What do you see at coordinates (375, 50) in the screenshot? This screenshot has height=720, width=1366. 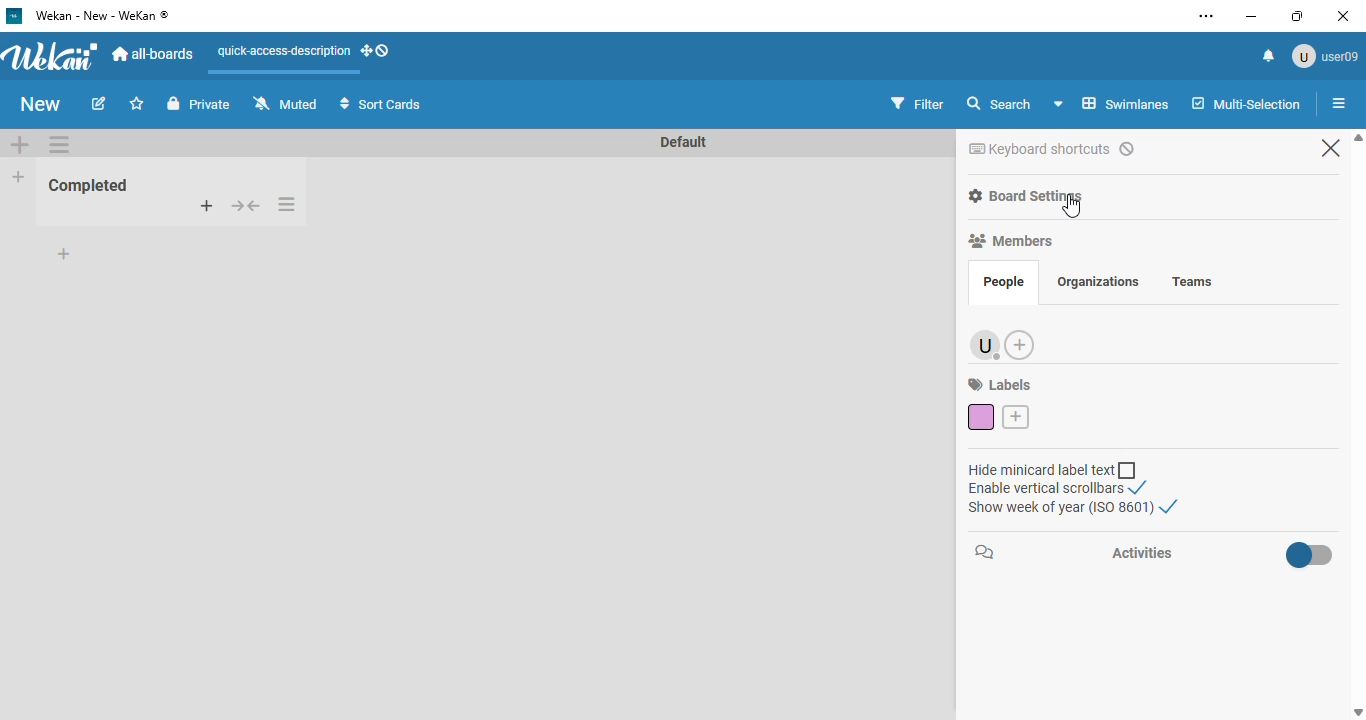 I see `show-desktop-drag-handles` at bounding box center [375, 50].